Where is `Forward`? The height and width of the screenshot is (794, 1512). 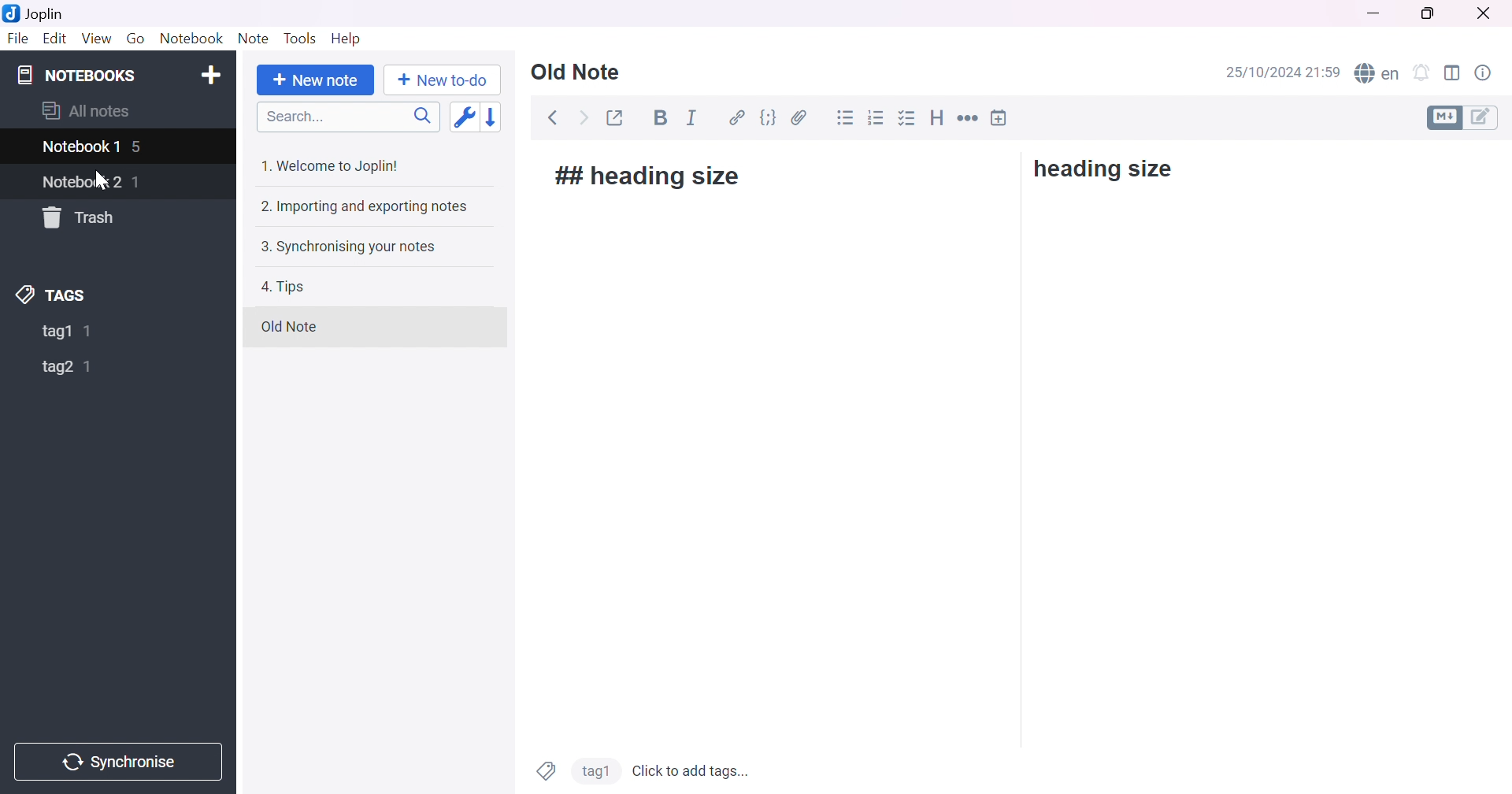
Forward is located at coordinates (583, 118).